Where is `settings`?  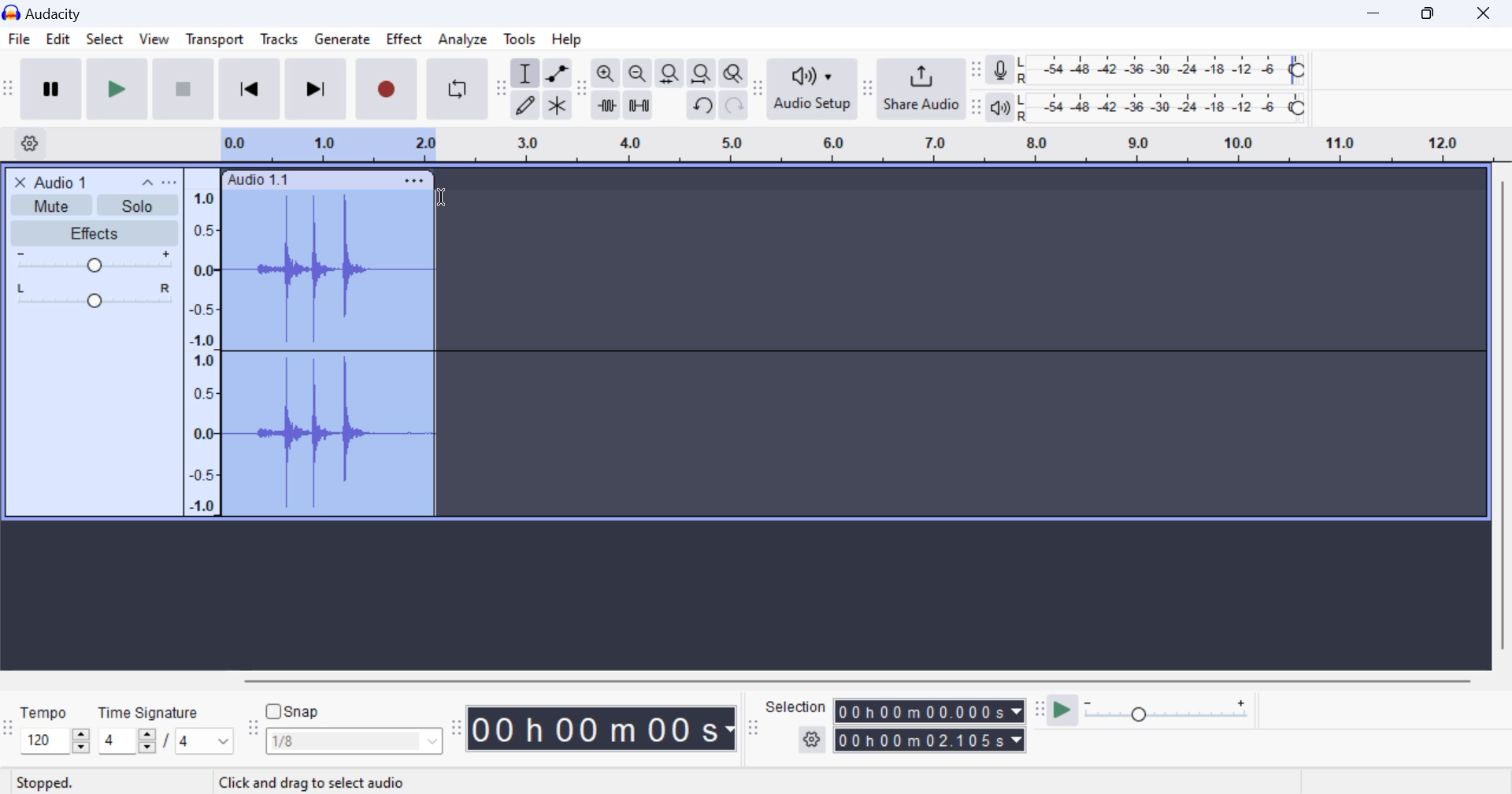
settings is located at coordinates (813, 740).